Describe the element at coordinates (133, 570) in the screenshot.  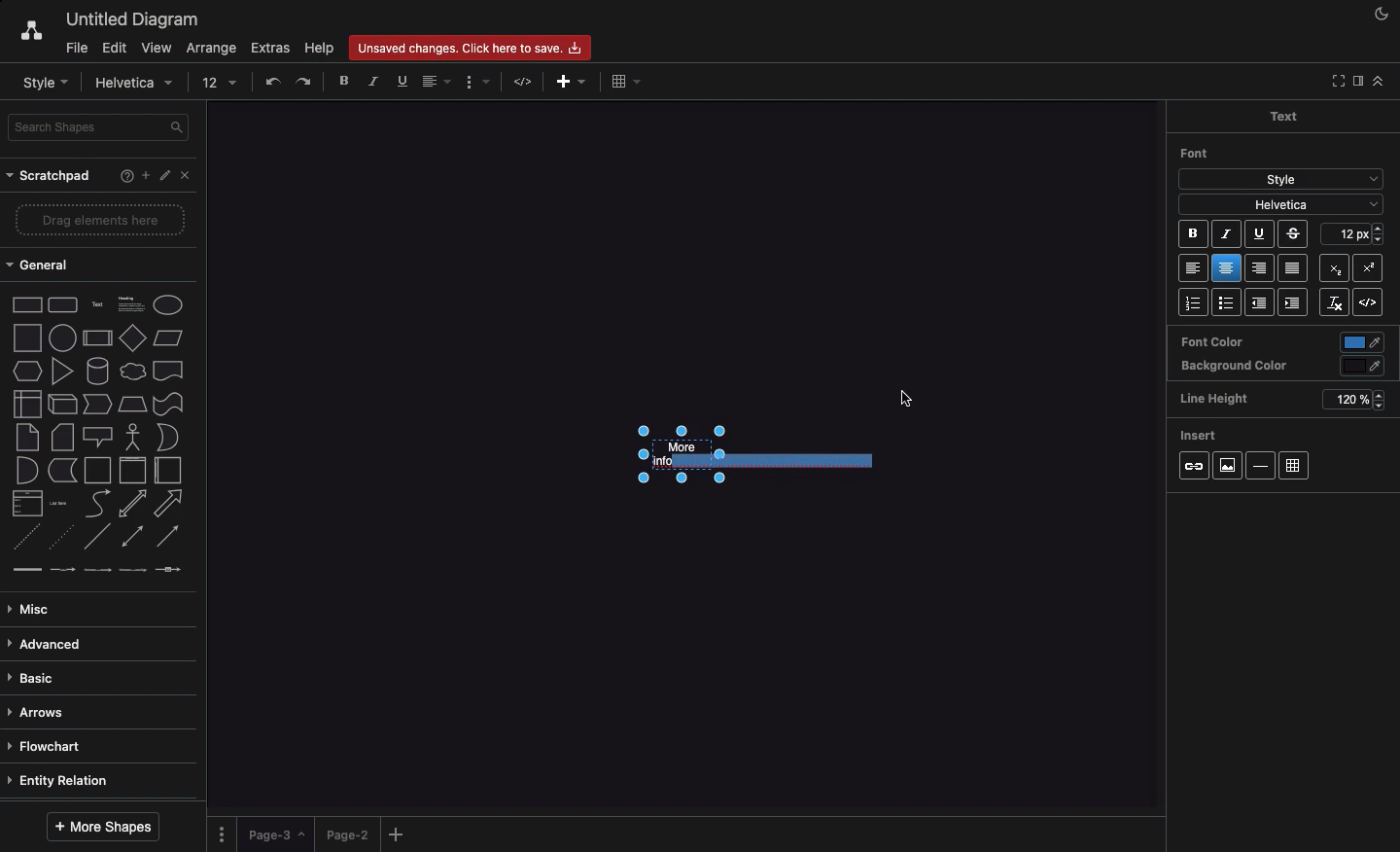
I see `connector with 3 labels` at that location.